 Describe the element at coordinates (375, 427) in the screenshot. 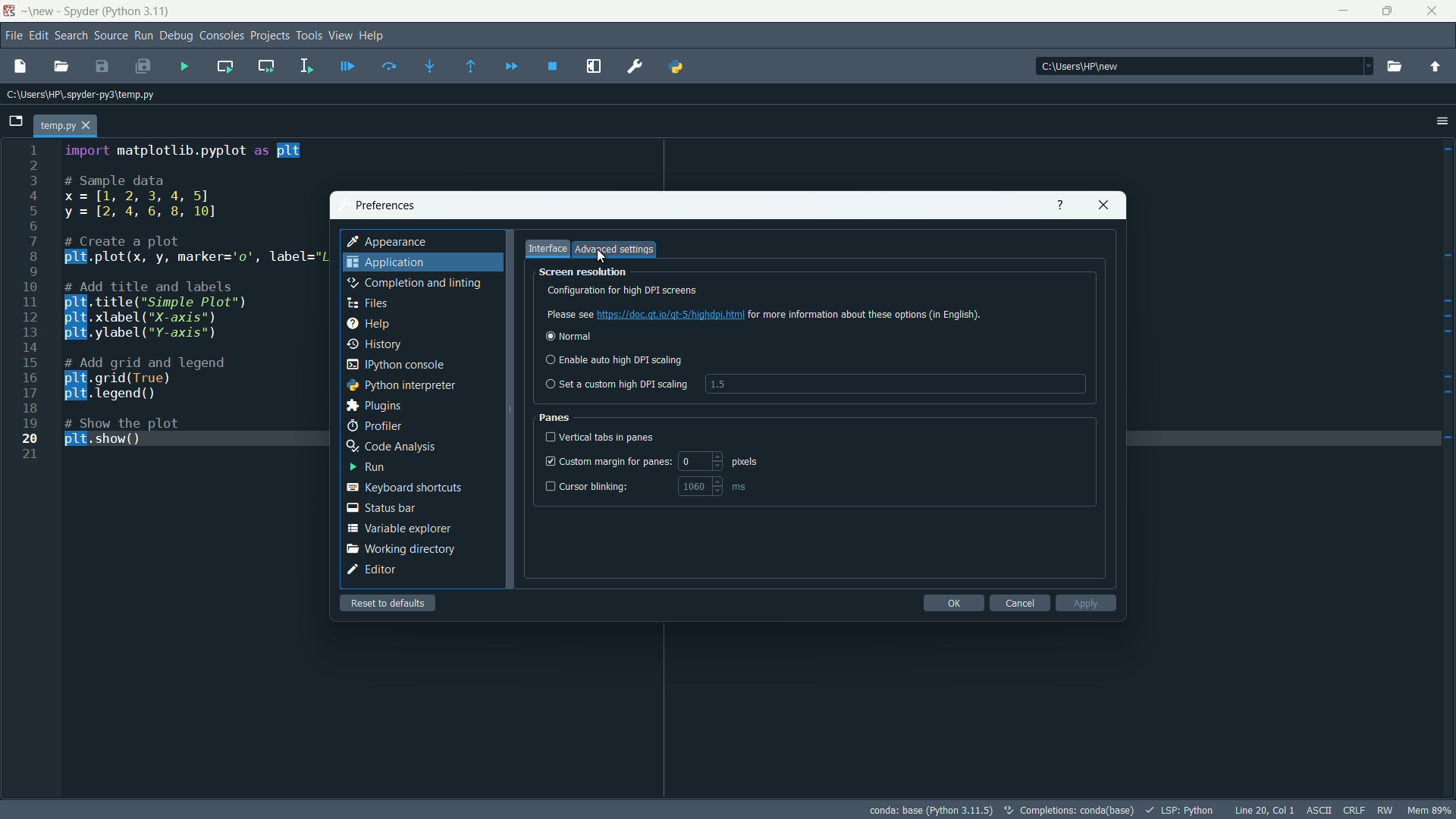

I see `profiler` at that location.